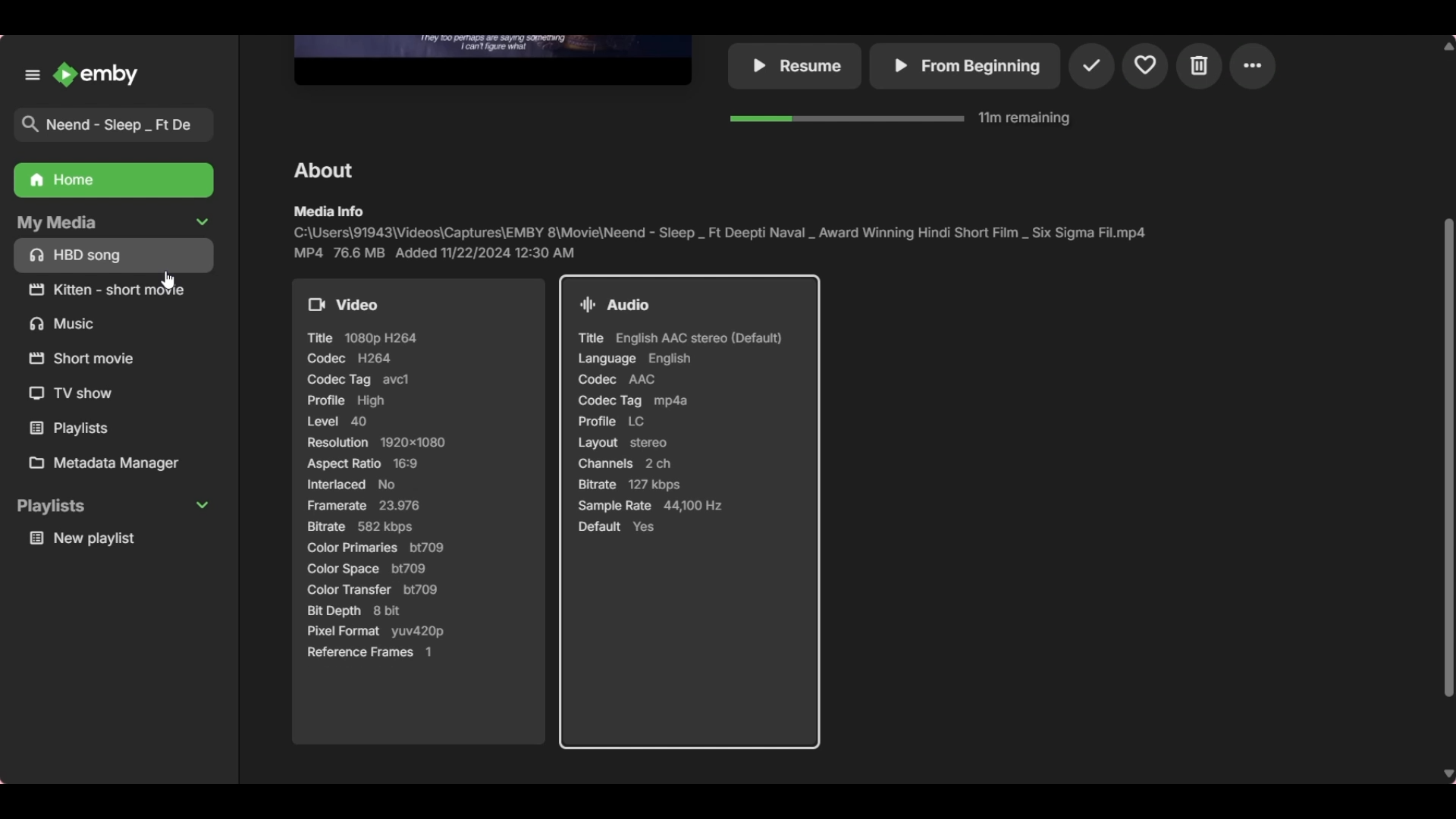  Describe the element at coordinates (85, 357) in the screenshot. I see `` at that location.